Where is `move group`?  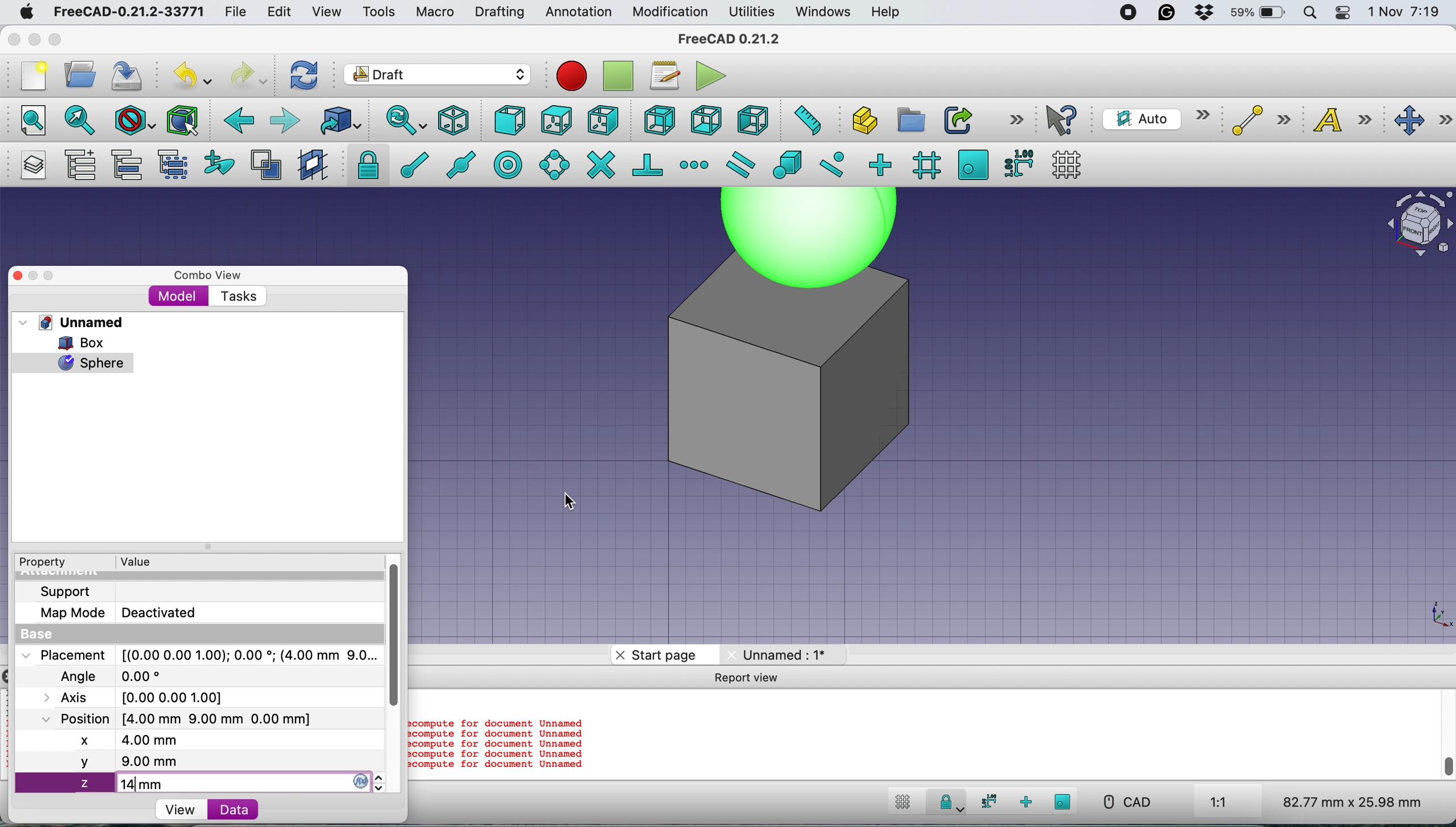
move group is located at coordinates (130, 165).